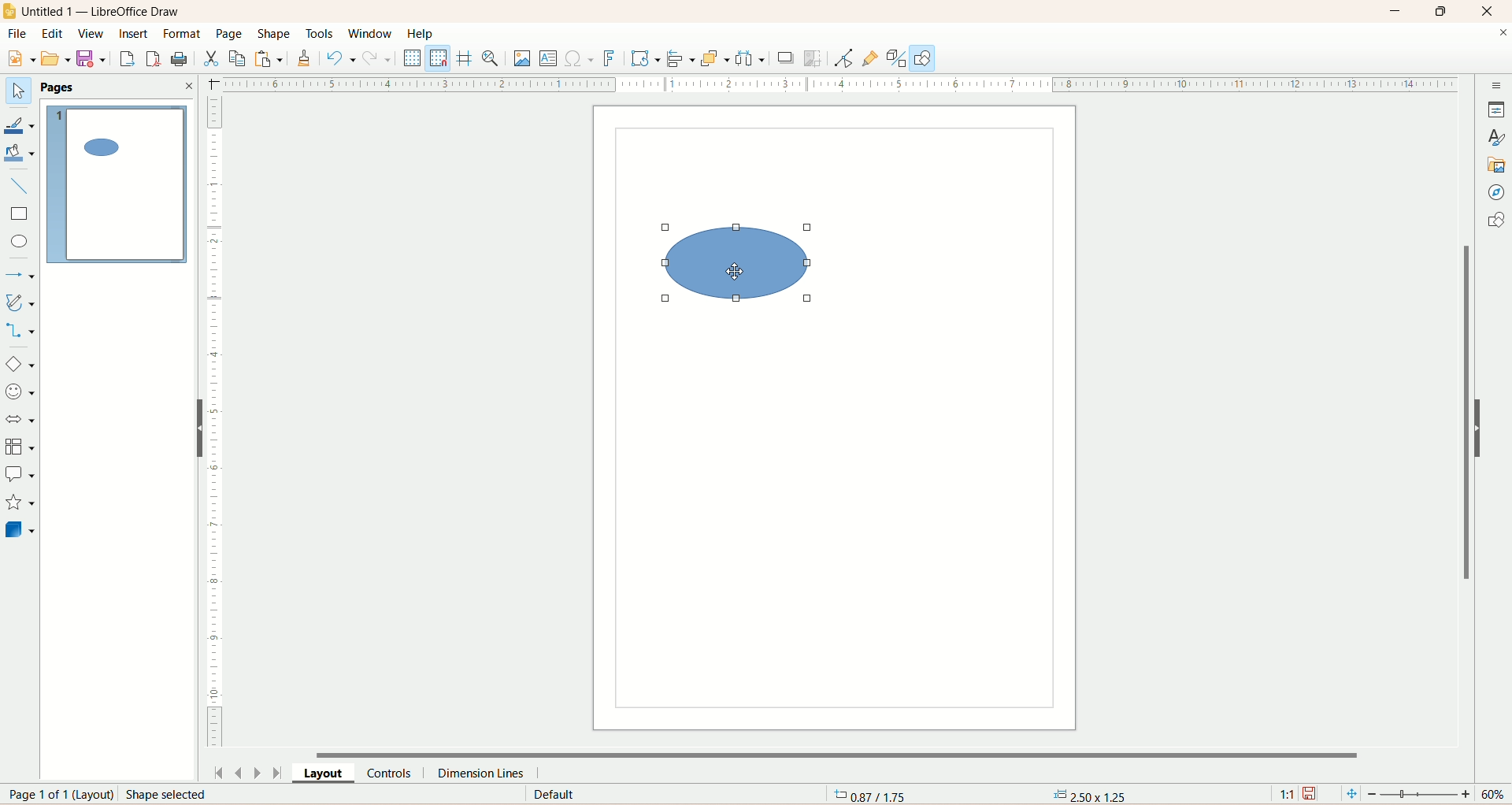  What do you see at coordinates (213, 58) in the screenshot?
I see `cut` at bounding box center [213, 58].